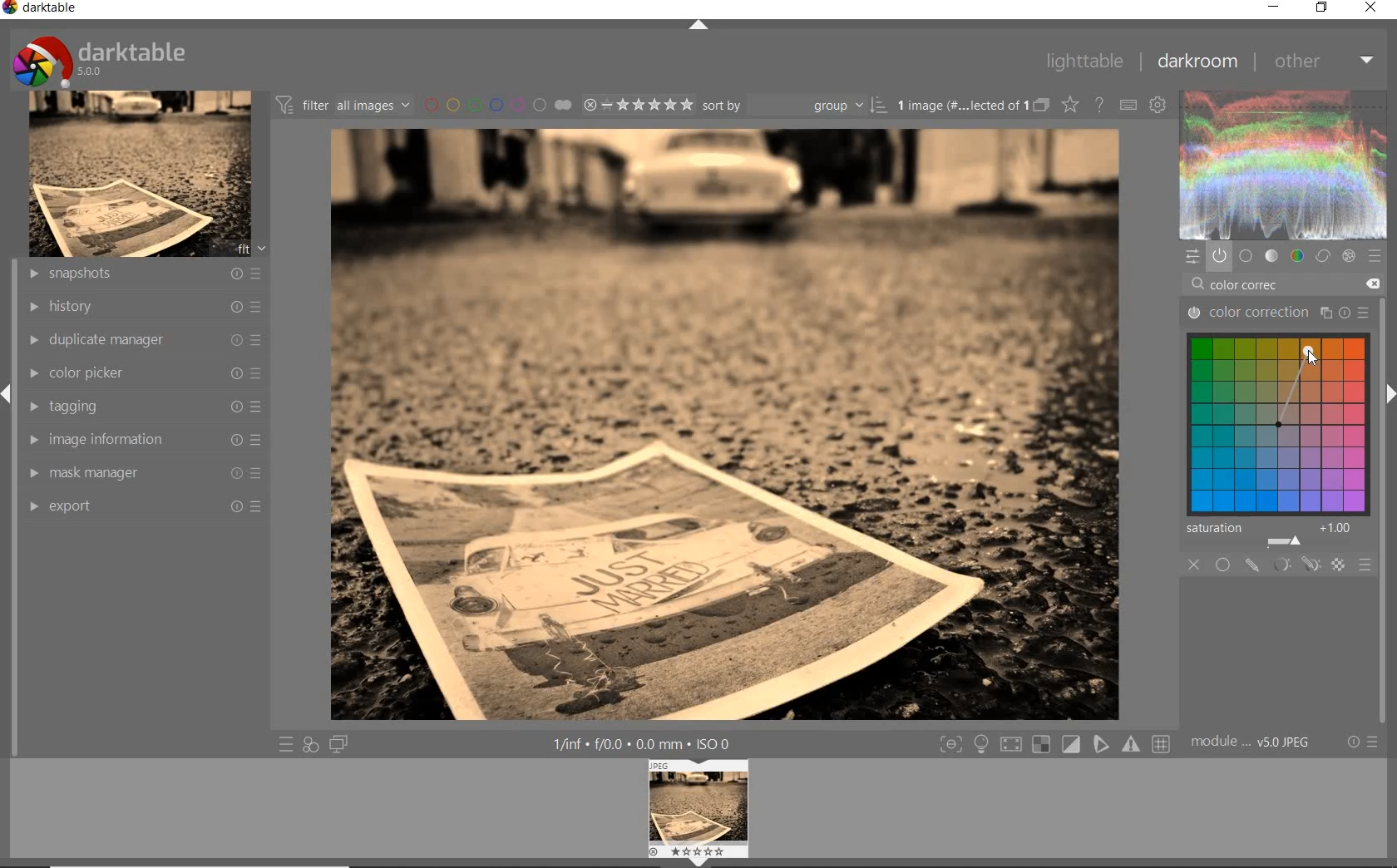 This screenshot has width=1397, height=868. I want to click on blending options, so click(1365, 565).